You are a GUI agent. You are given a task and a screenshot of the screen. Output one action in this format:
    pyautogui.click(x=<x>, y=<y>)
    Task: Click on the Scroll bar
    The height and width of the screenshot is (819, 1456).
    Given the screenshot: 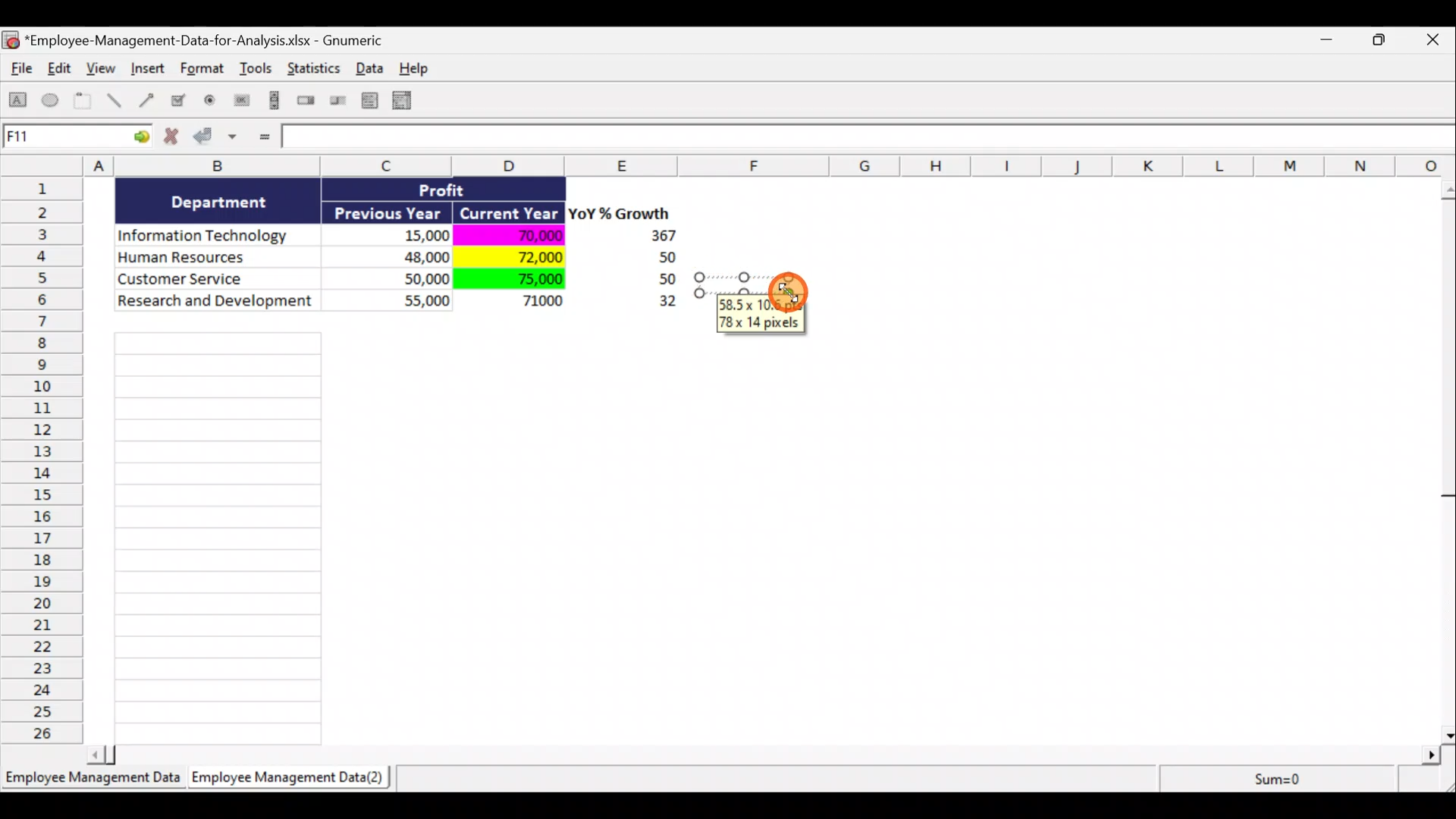 What is the action you would take?
    pyautogui.click(x=1446, y=458)
    